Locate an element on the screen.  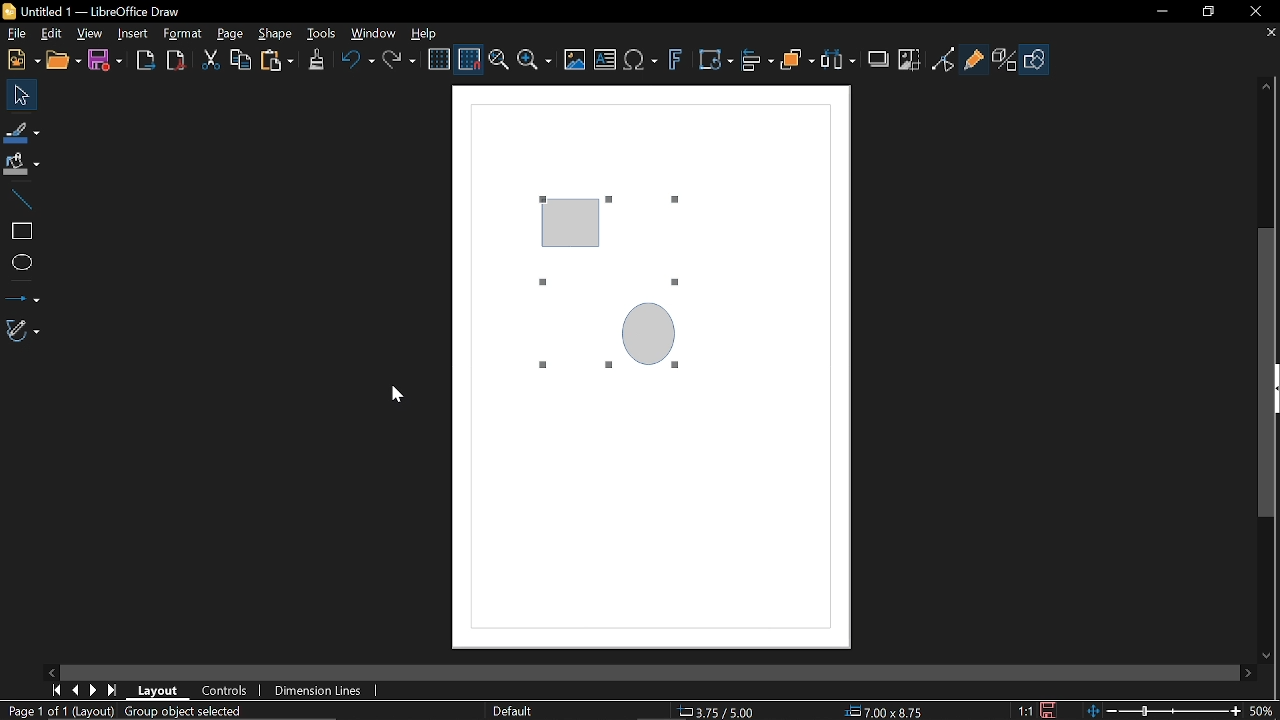
File is located at coordinates (18, 33).